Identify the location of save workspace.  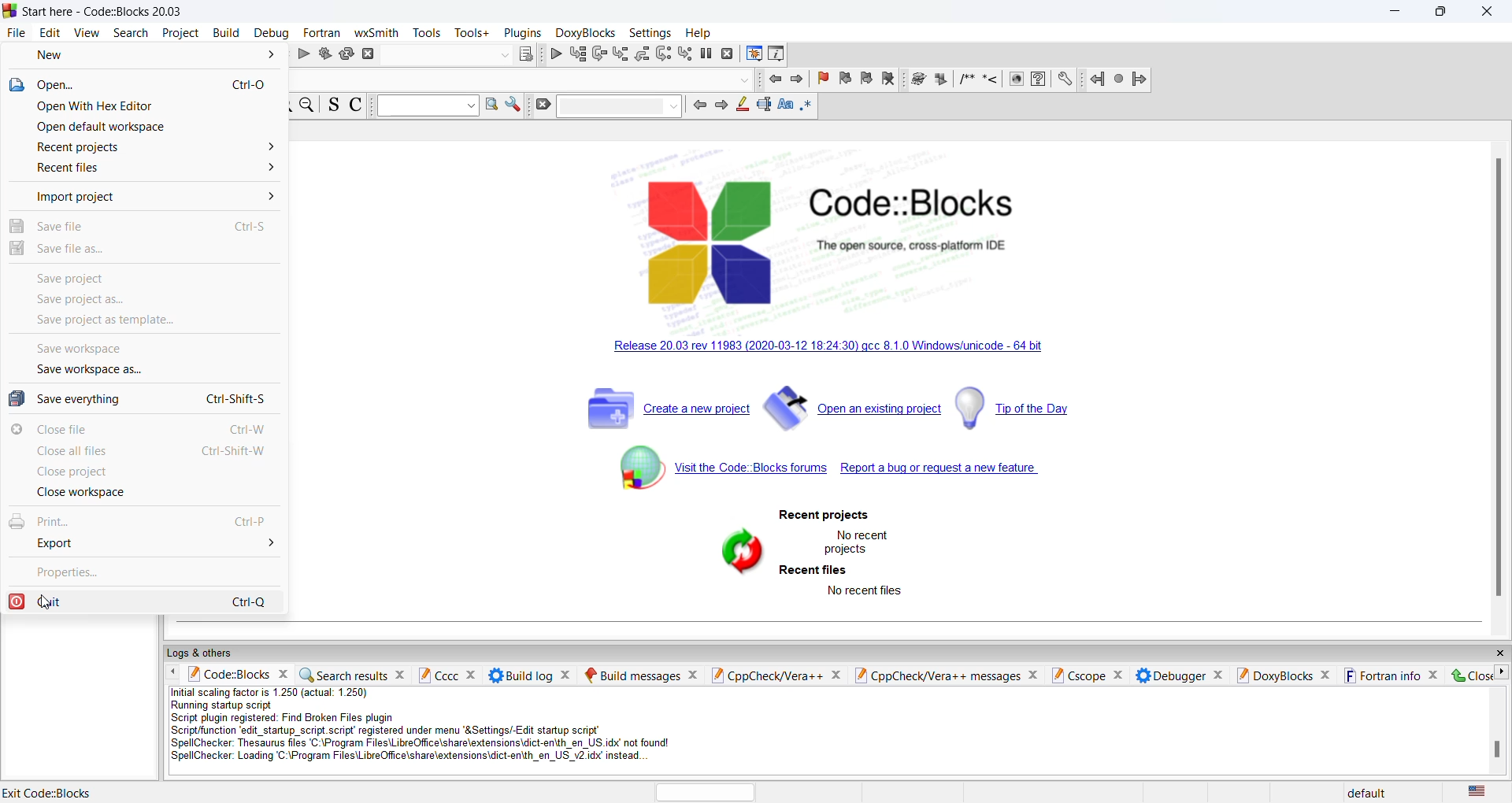
(136, 352).